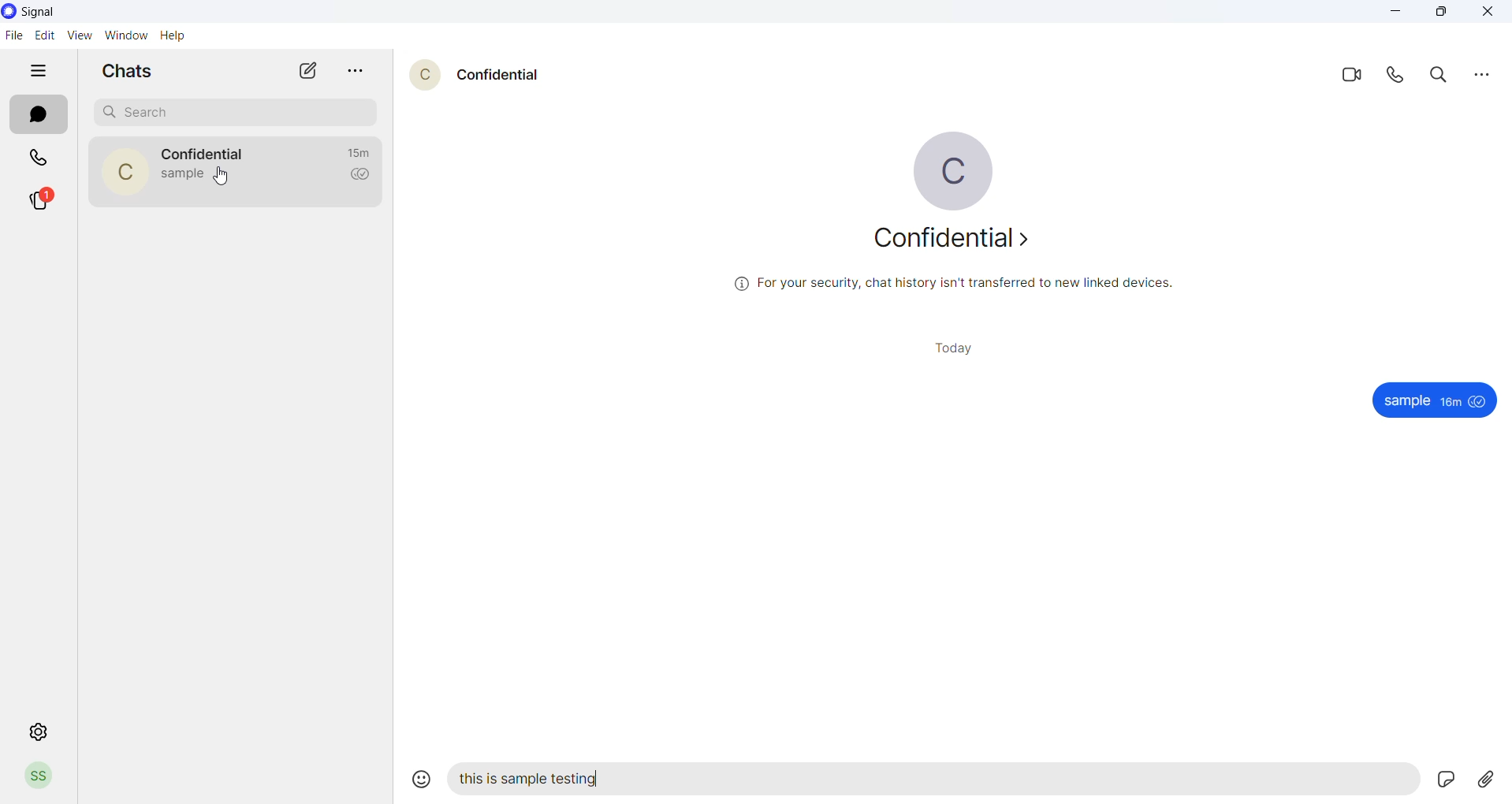 The width and height of the screenshot is (1512, 804). What do you see at coordinates (1442, 76) in the screenshot?
I see `search message` at bounding box center [1442, 76].